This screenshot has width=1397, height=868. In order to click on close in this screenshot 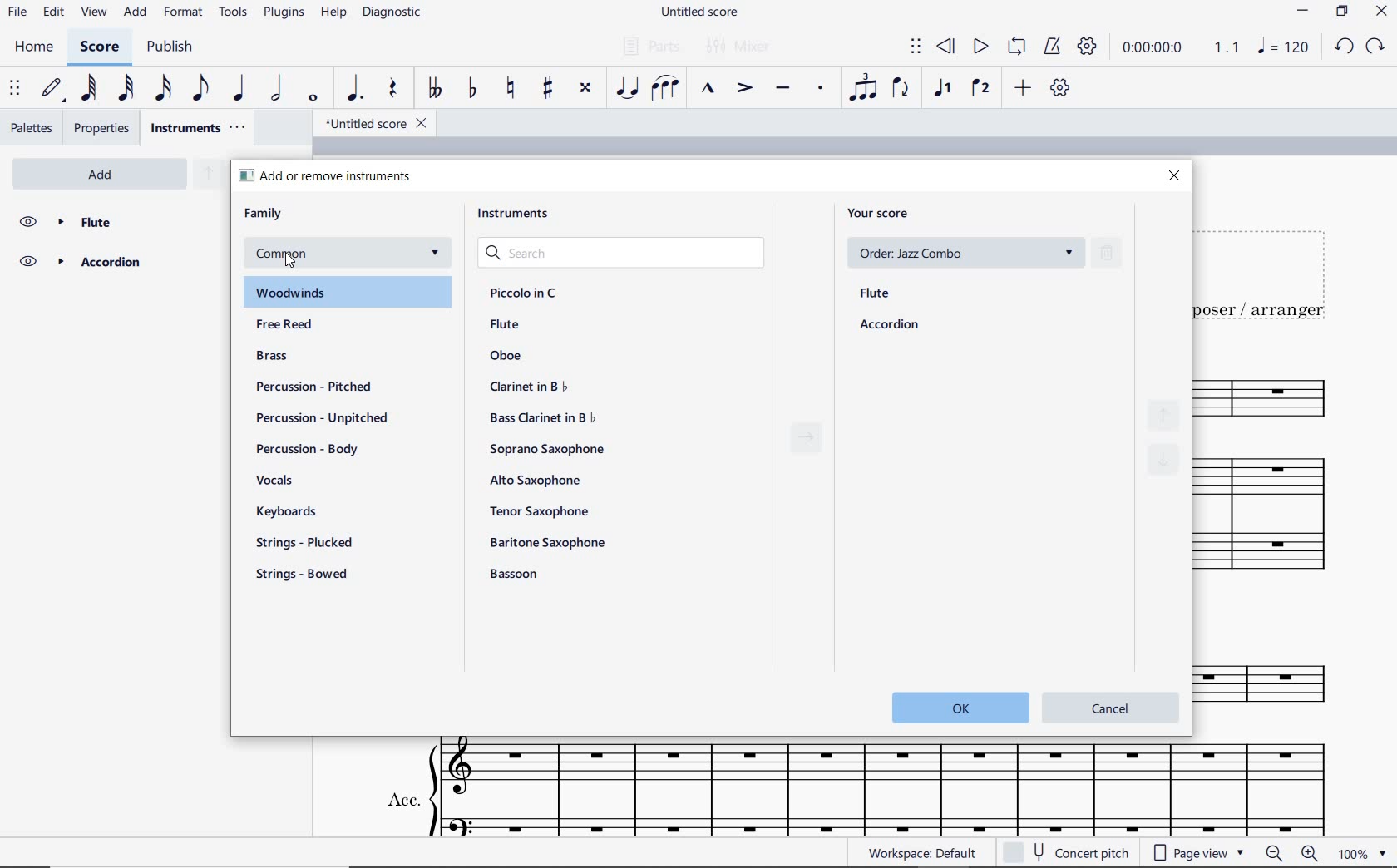, I will do `click(1176, 175)`.